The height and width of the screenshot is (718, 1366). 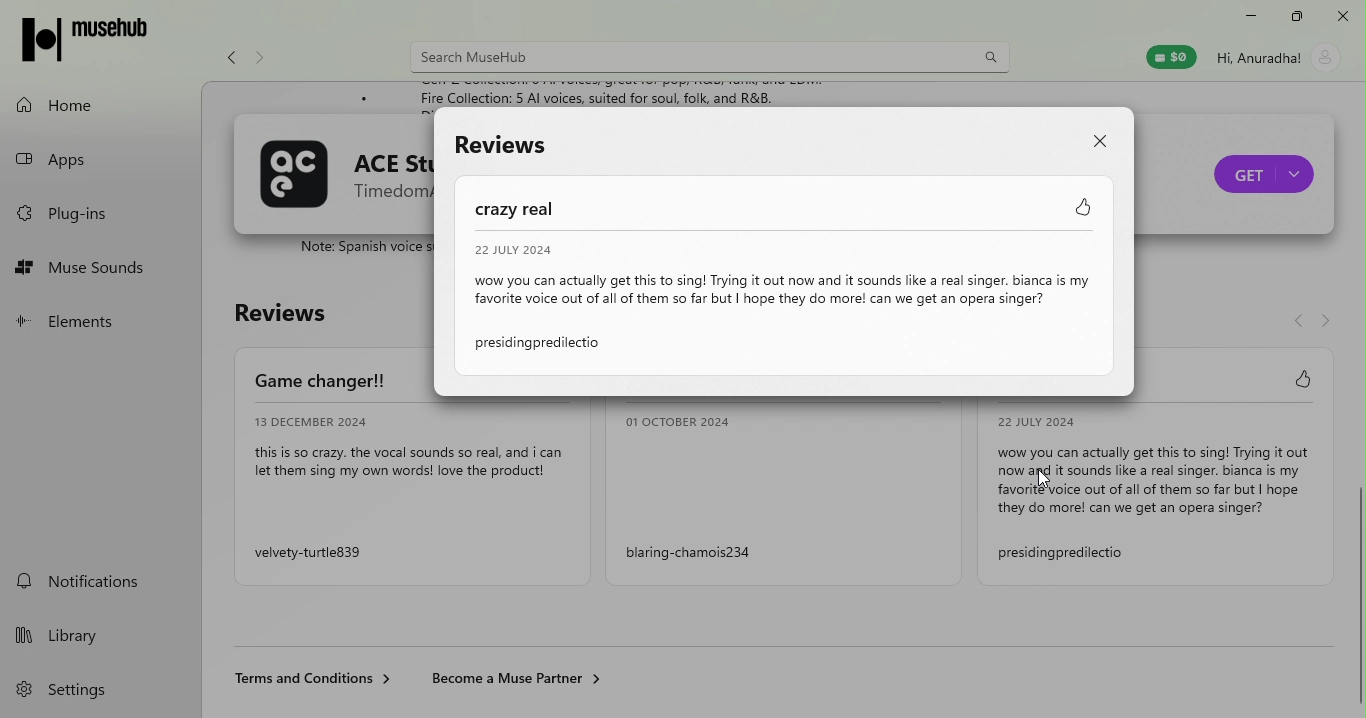 I want to click on cursor, so click(x=1040, y=480).